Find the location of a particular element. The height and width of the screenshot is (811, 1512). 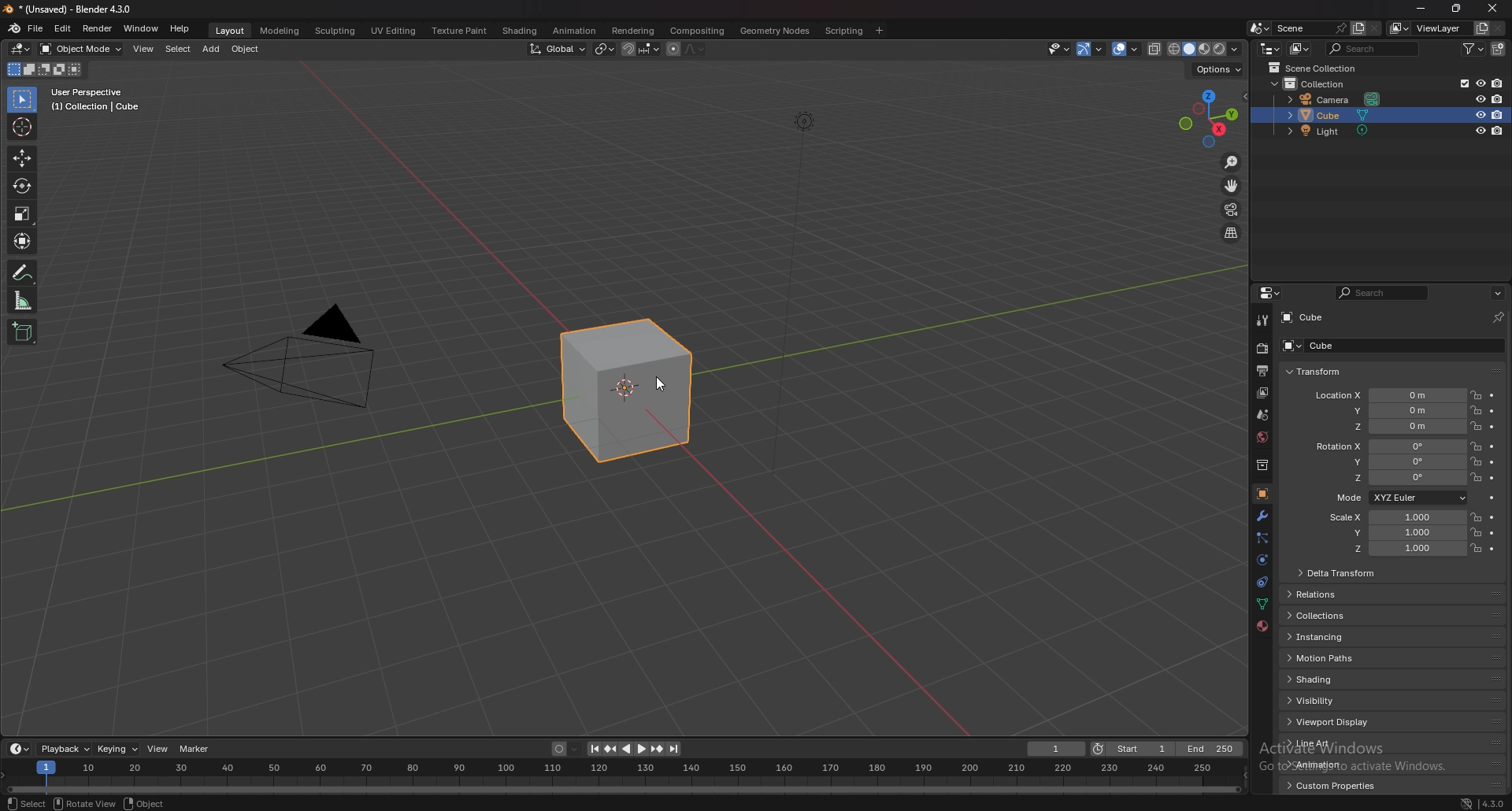

collections is located at coordinates (1336, 614).